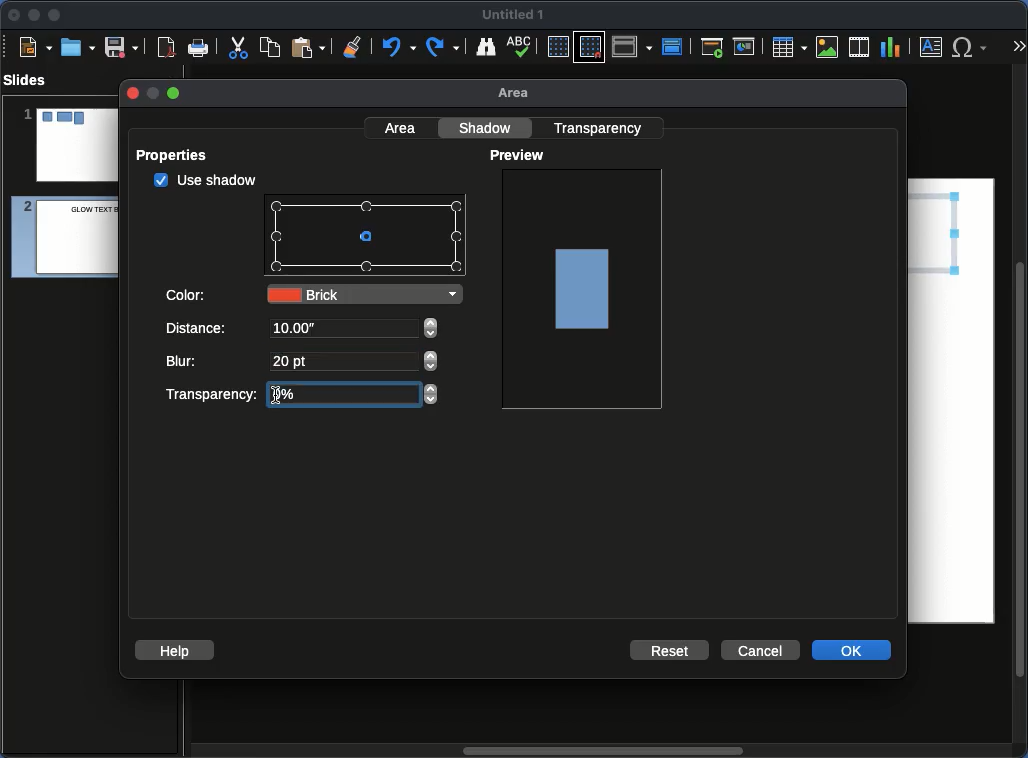 This screenshot has width=1028, height=758. Describe the element at coordinates (238, 47) in the screenshot. I see `Cut` at that location.